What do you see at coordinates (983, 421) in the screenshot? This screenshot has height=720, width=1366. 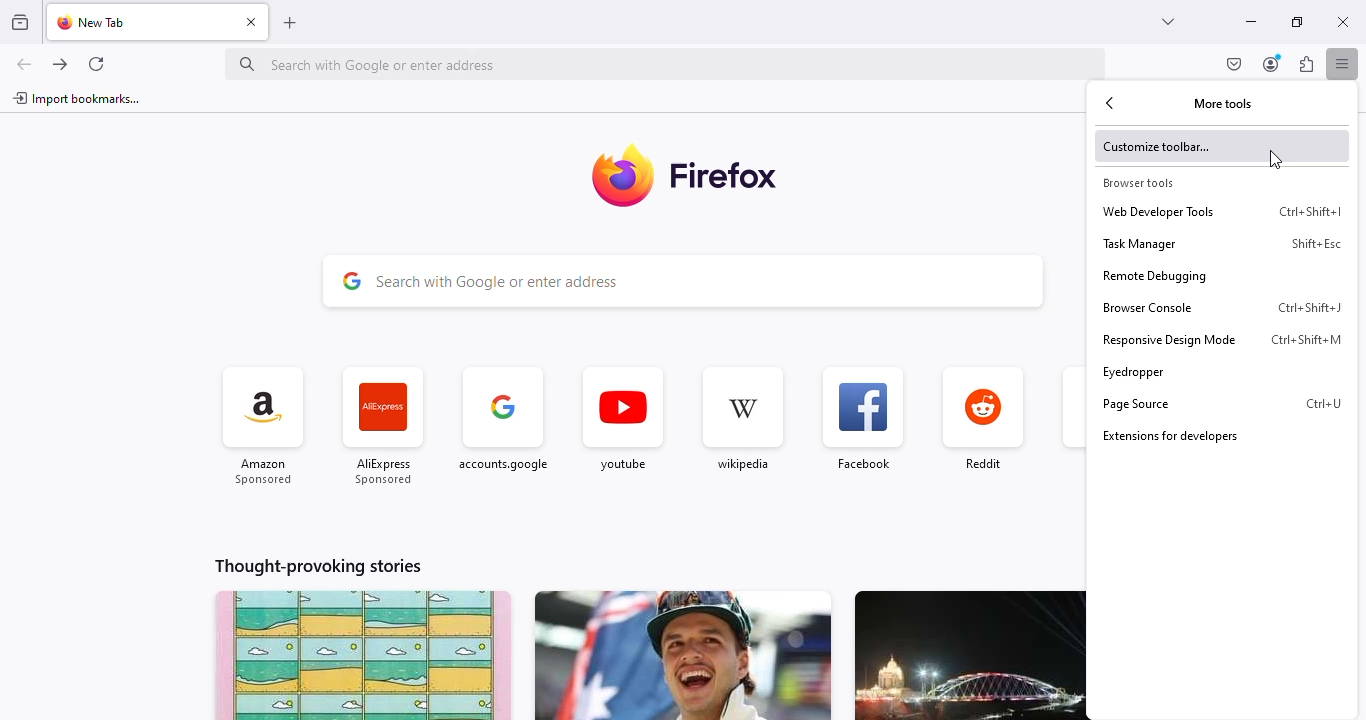 I see `reddit` at bounding box center [983, 421].